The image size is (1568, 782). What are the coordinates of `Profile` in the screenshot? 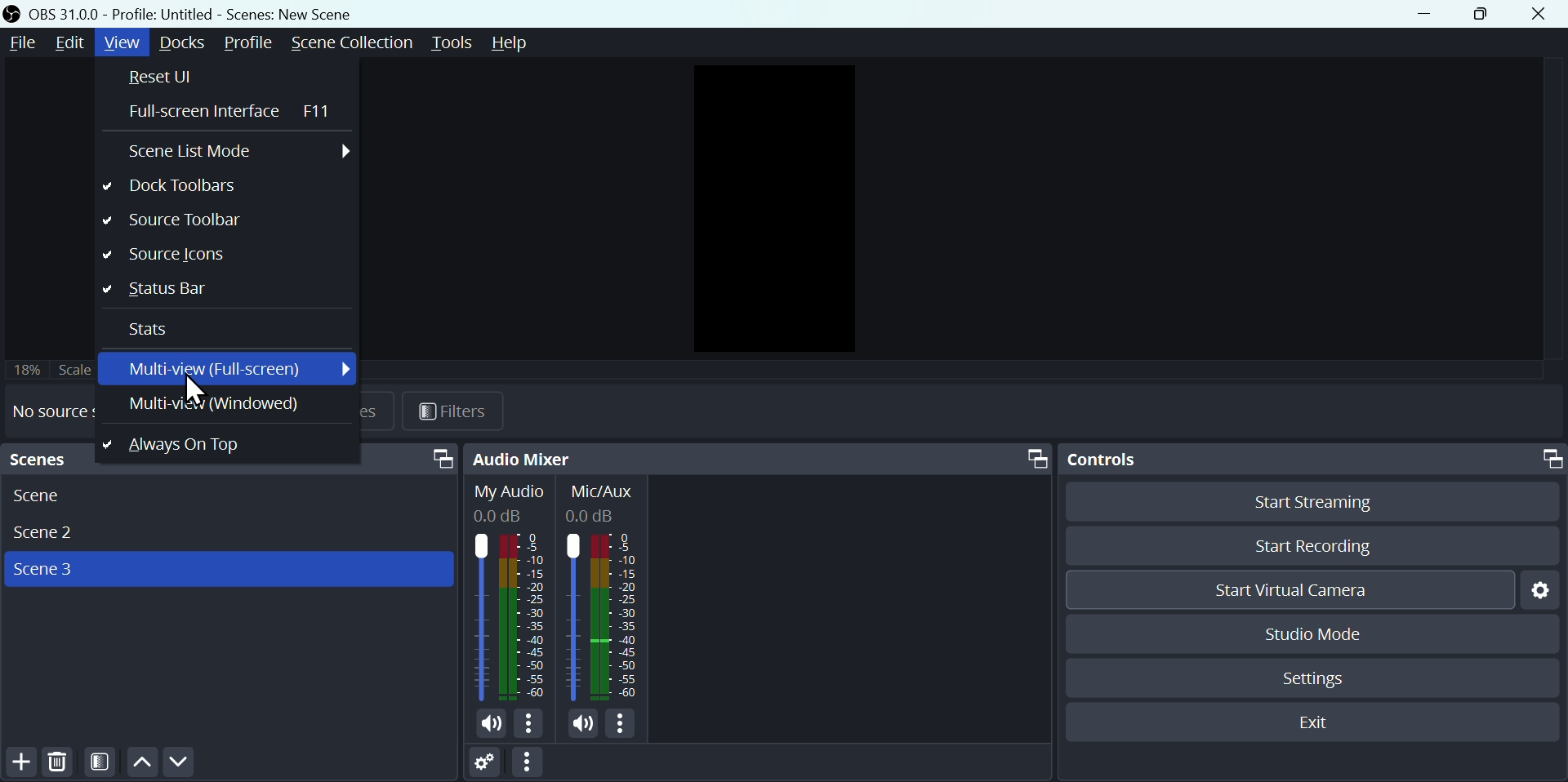 It's located at (249, 44).